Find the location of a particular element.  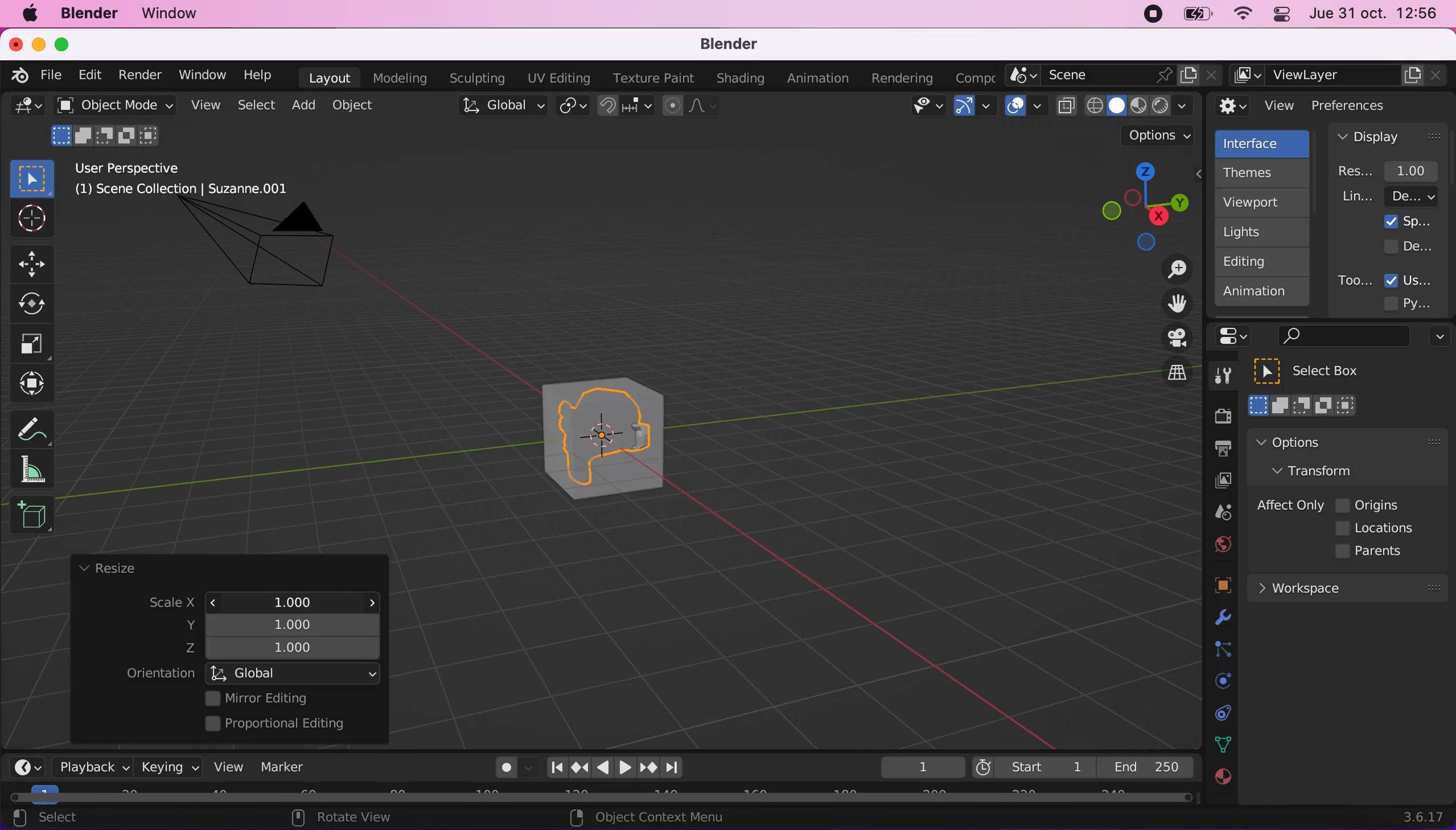

texture paint is located at coordinates (651, 78).